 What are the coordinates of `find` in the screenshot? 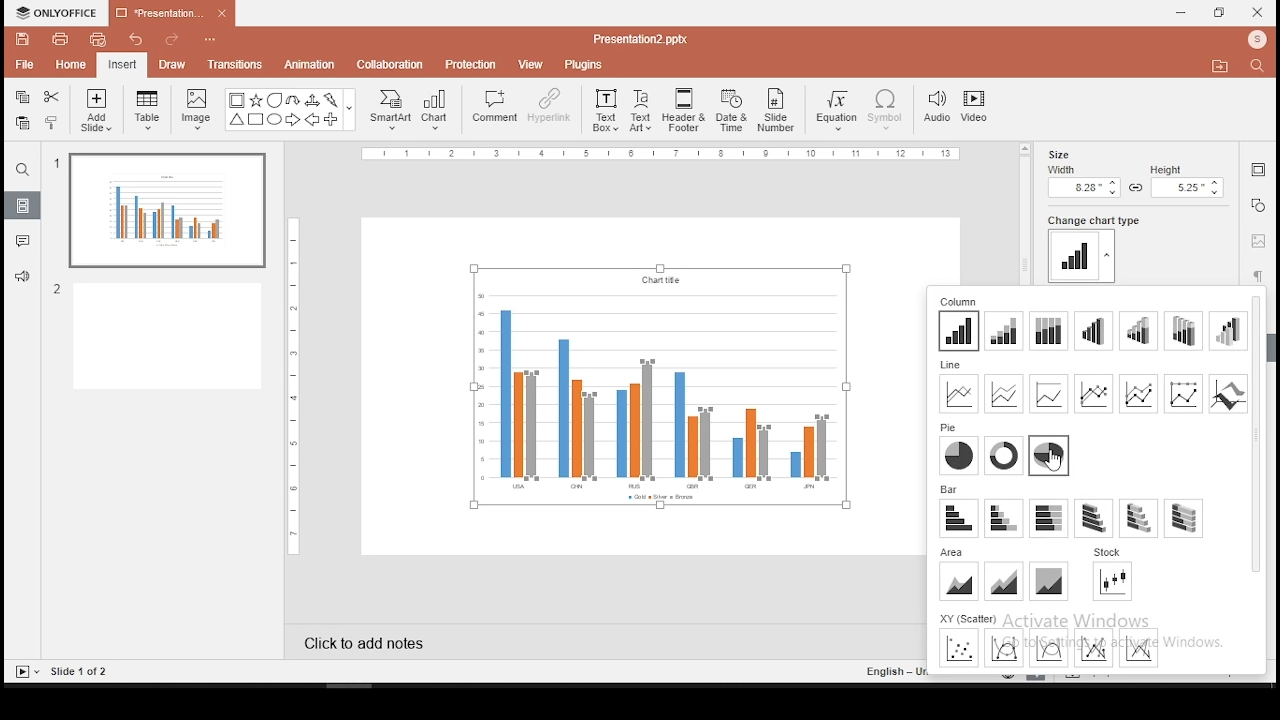 It's located at (23, 169).